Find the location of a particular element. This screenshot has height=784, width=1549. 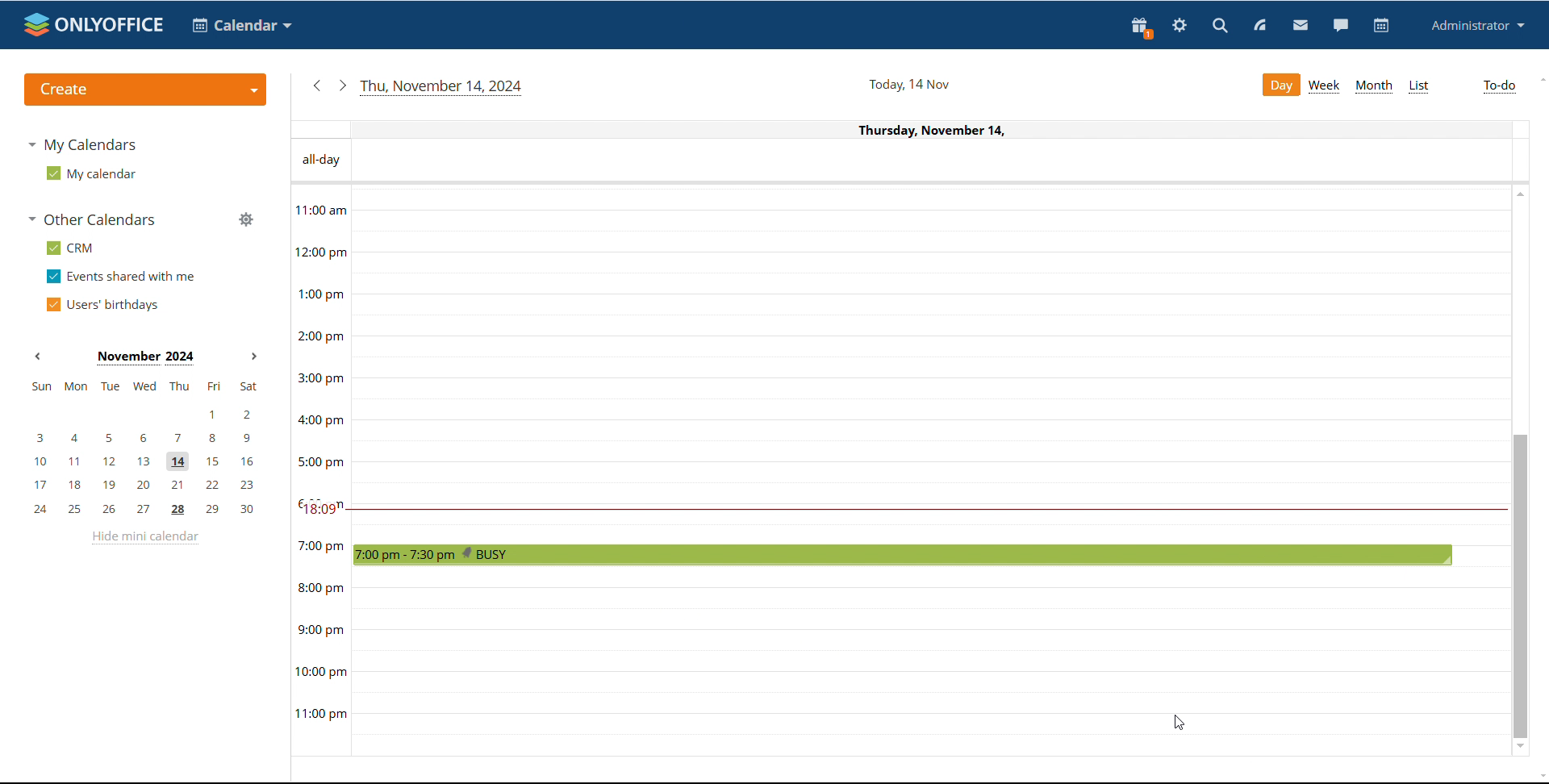

previous date is located at coordinates (319, 86).